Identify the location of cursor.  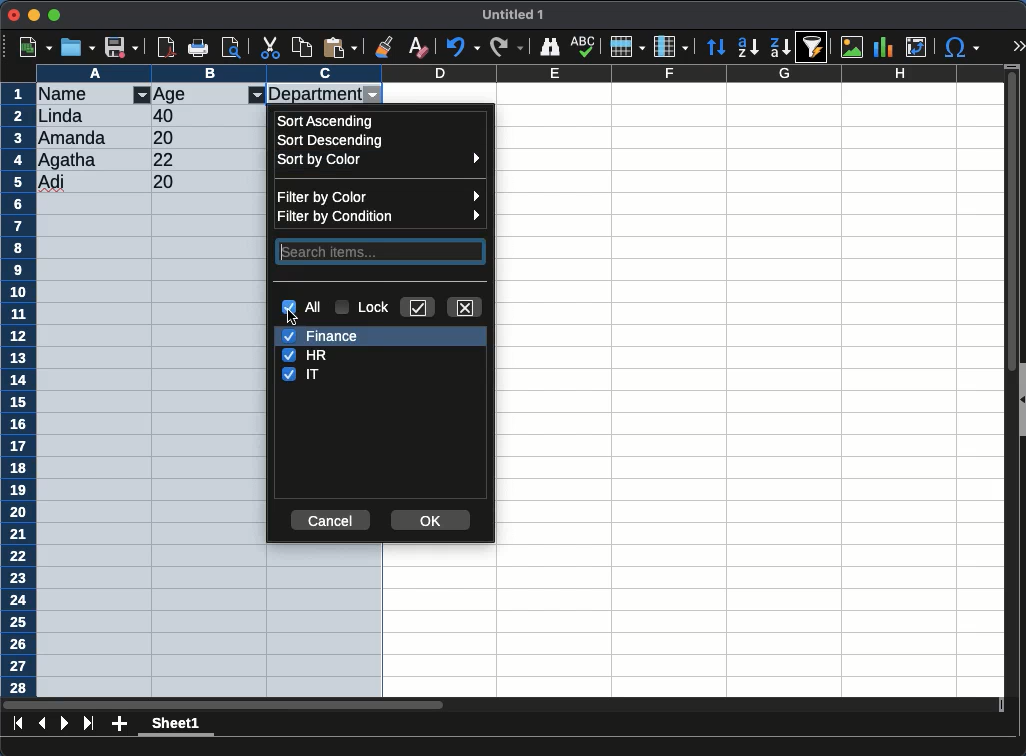
(293, 316).